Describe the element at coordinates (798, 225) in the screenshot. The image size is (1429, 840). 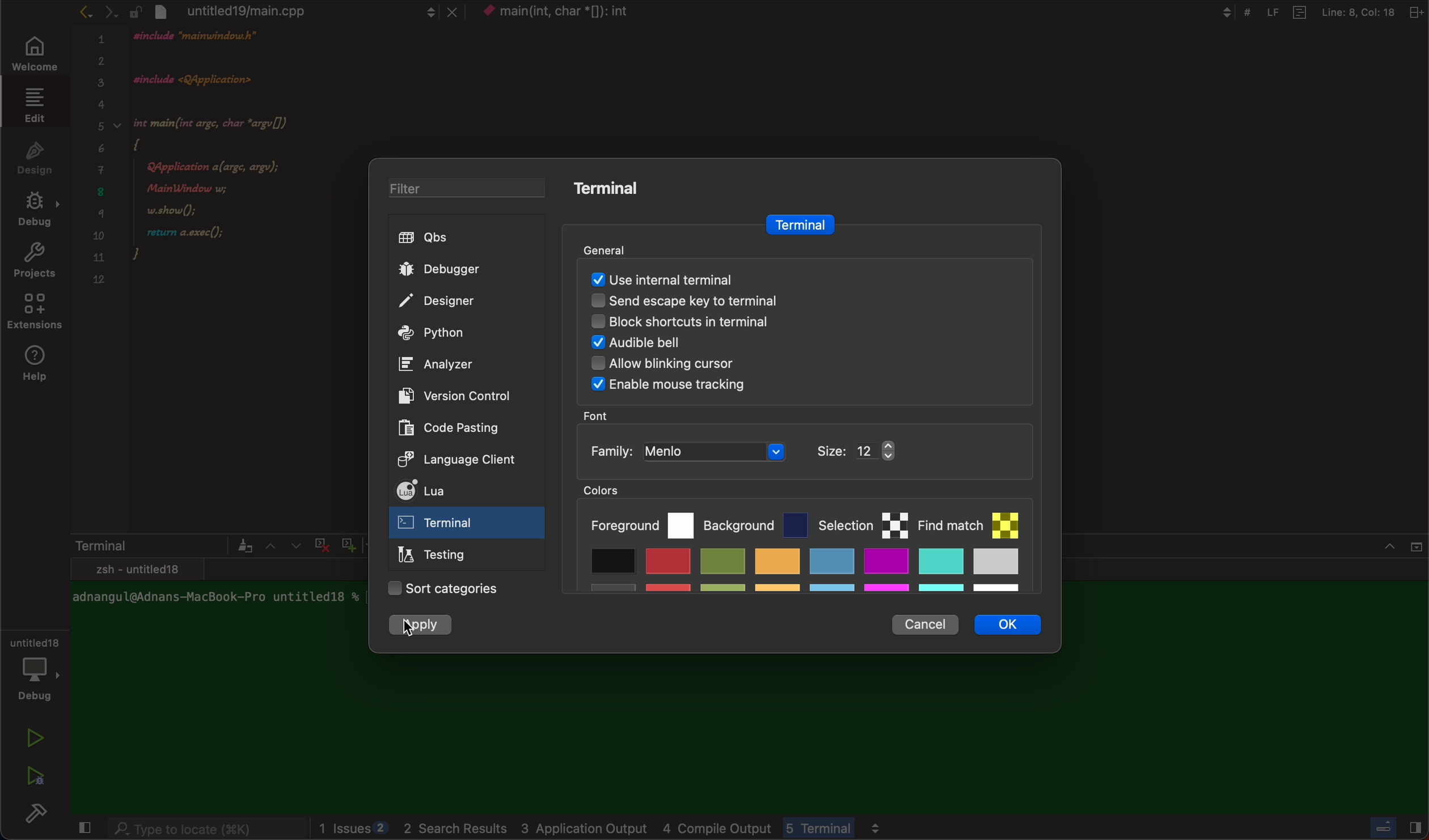
I see `terminal` at that location.